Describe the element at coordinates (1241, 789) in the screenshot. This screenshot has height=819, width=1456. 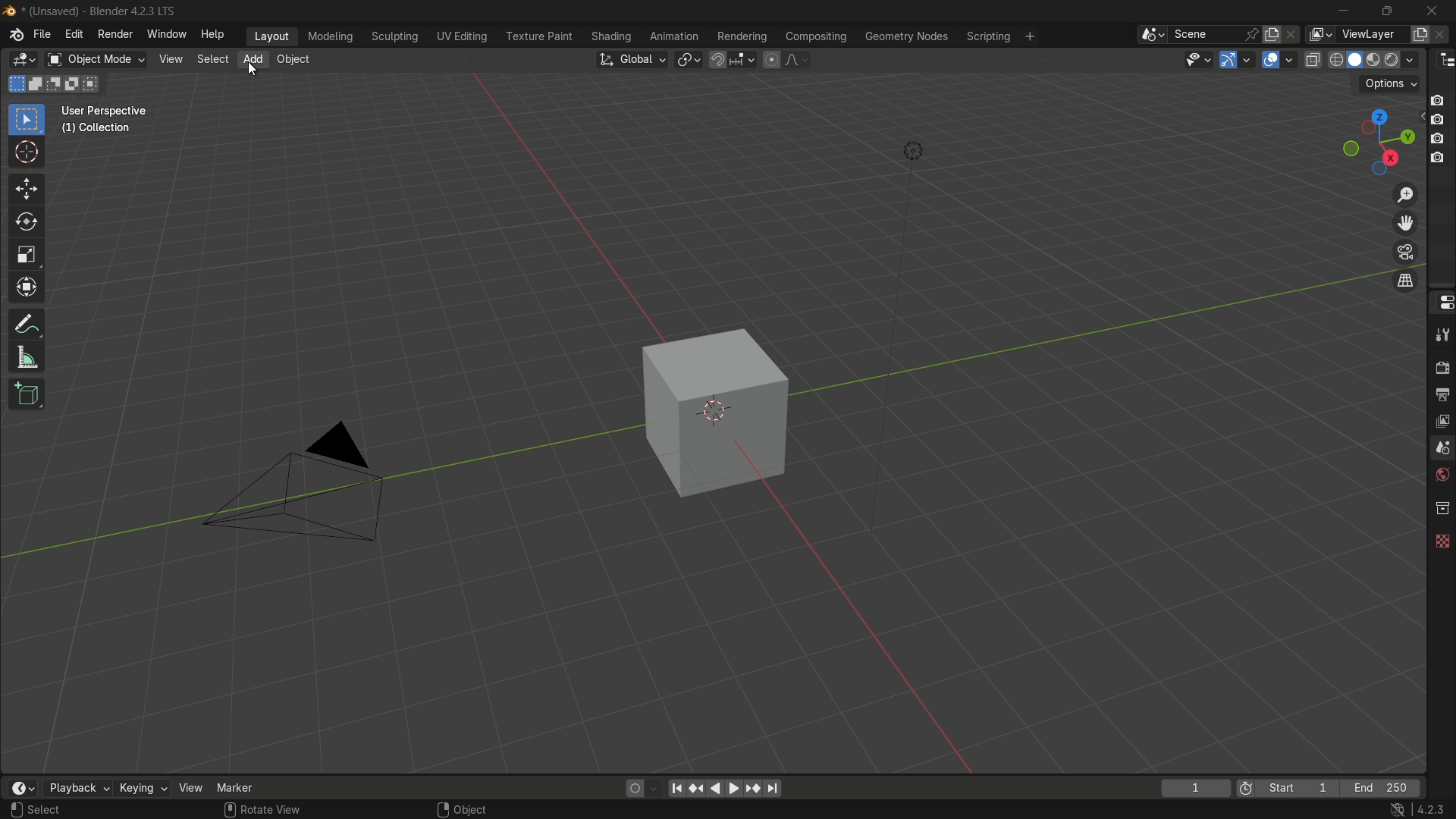
I see `preview` at that location.